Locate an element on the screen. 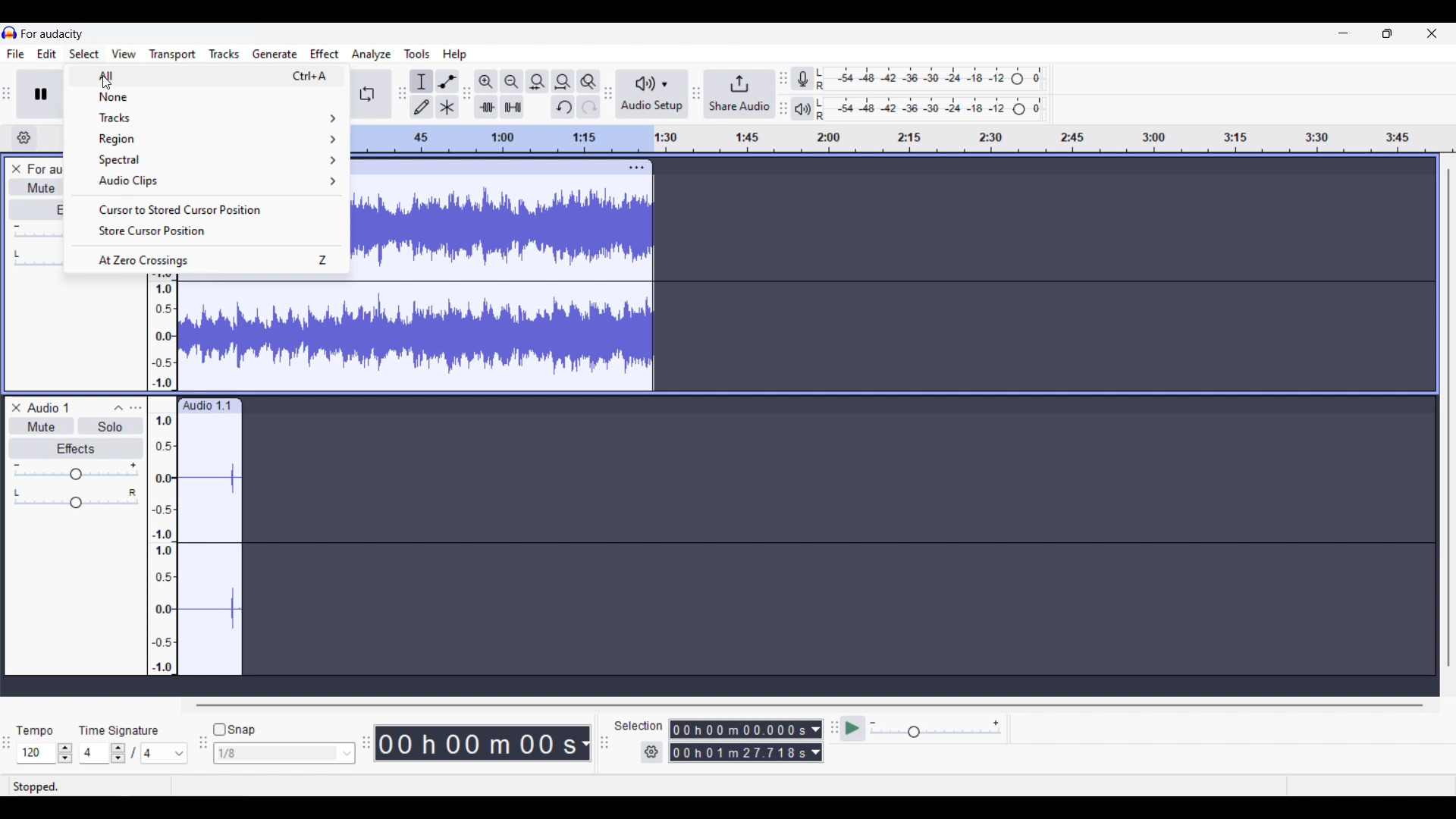  Pan slider is located at coordinates (35, 260).